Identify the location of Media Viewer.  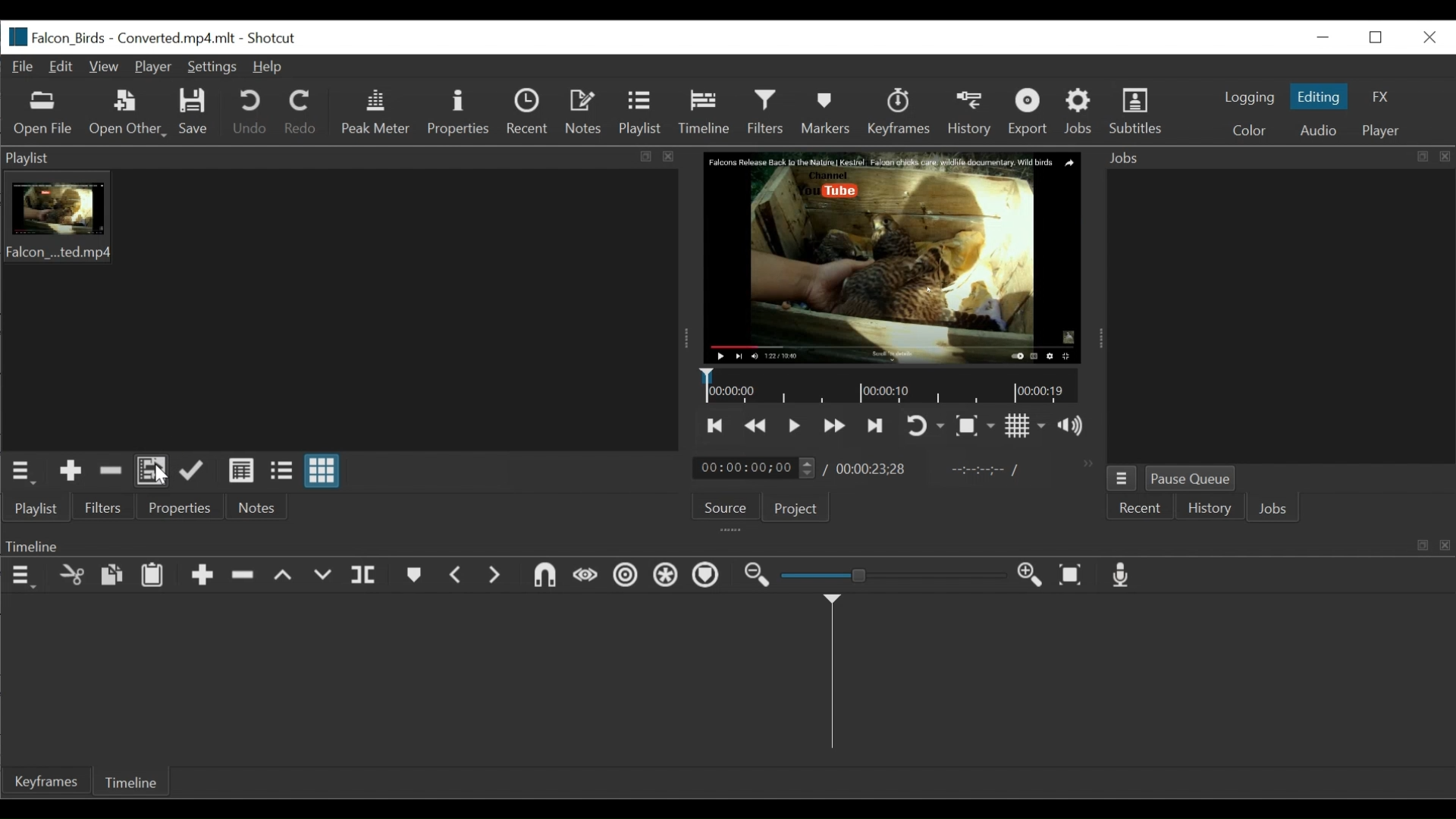
(890, 259).